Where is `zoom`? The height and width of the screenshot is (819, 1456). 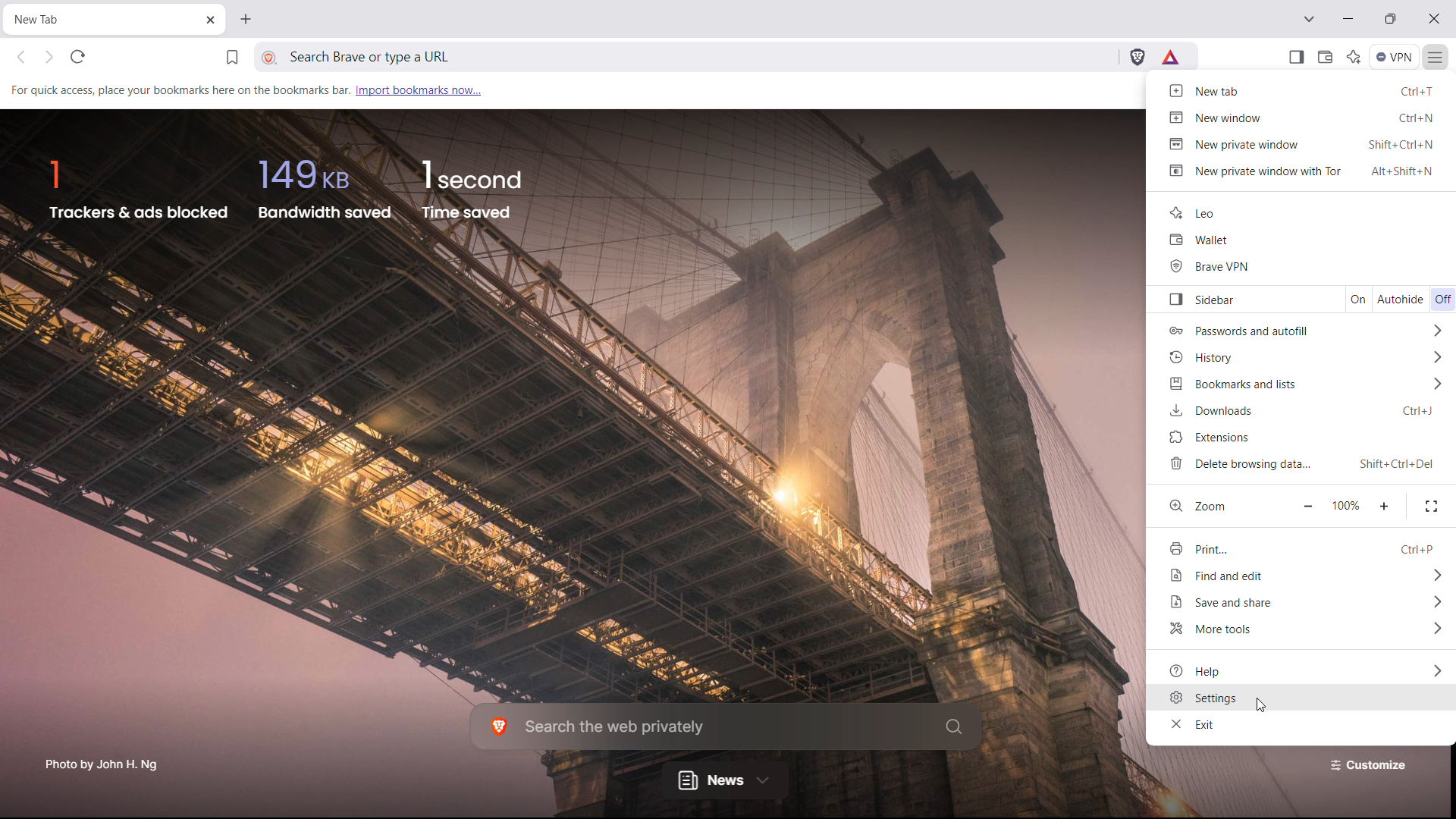 zoom is located at coordinates (1220, 504).